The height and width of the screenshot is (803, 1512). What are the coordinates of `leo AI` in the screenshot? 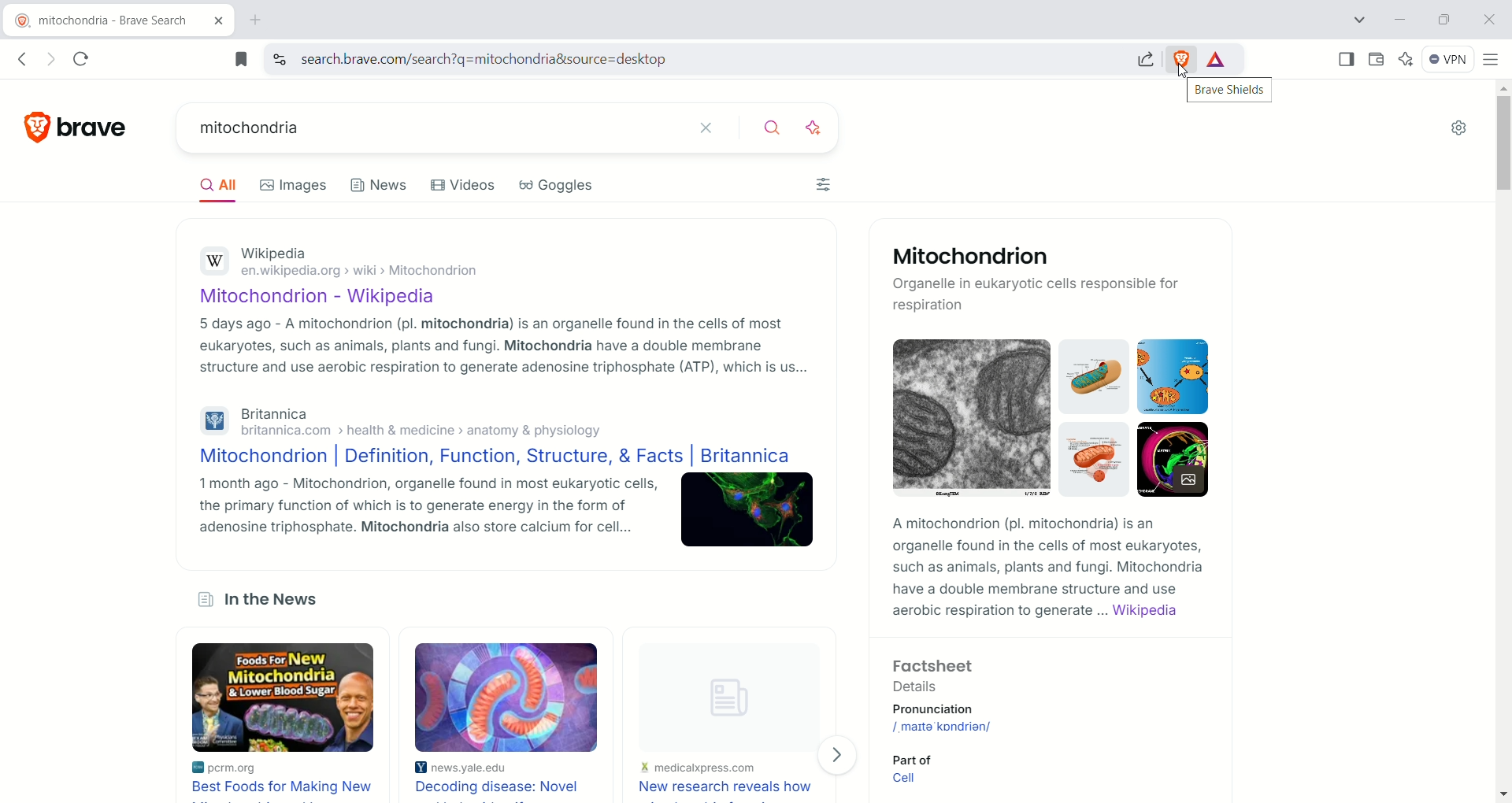 It's located at (1406, 58).